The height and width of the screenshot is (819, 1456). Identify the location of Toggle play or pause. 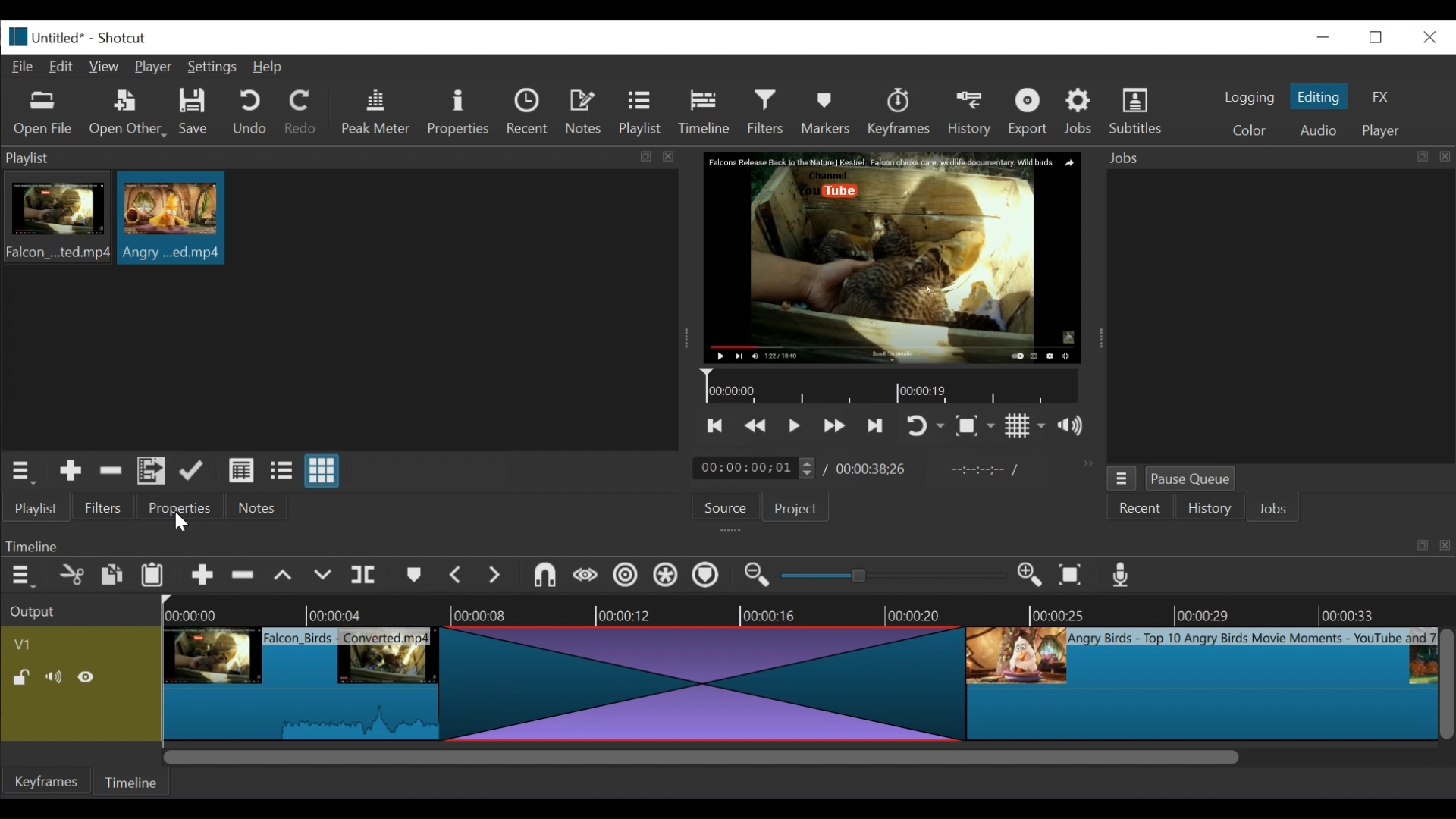
(795, 425).